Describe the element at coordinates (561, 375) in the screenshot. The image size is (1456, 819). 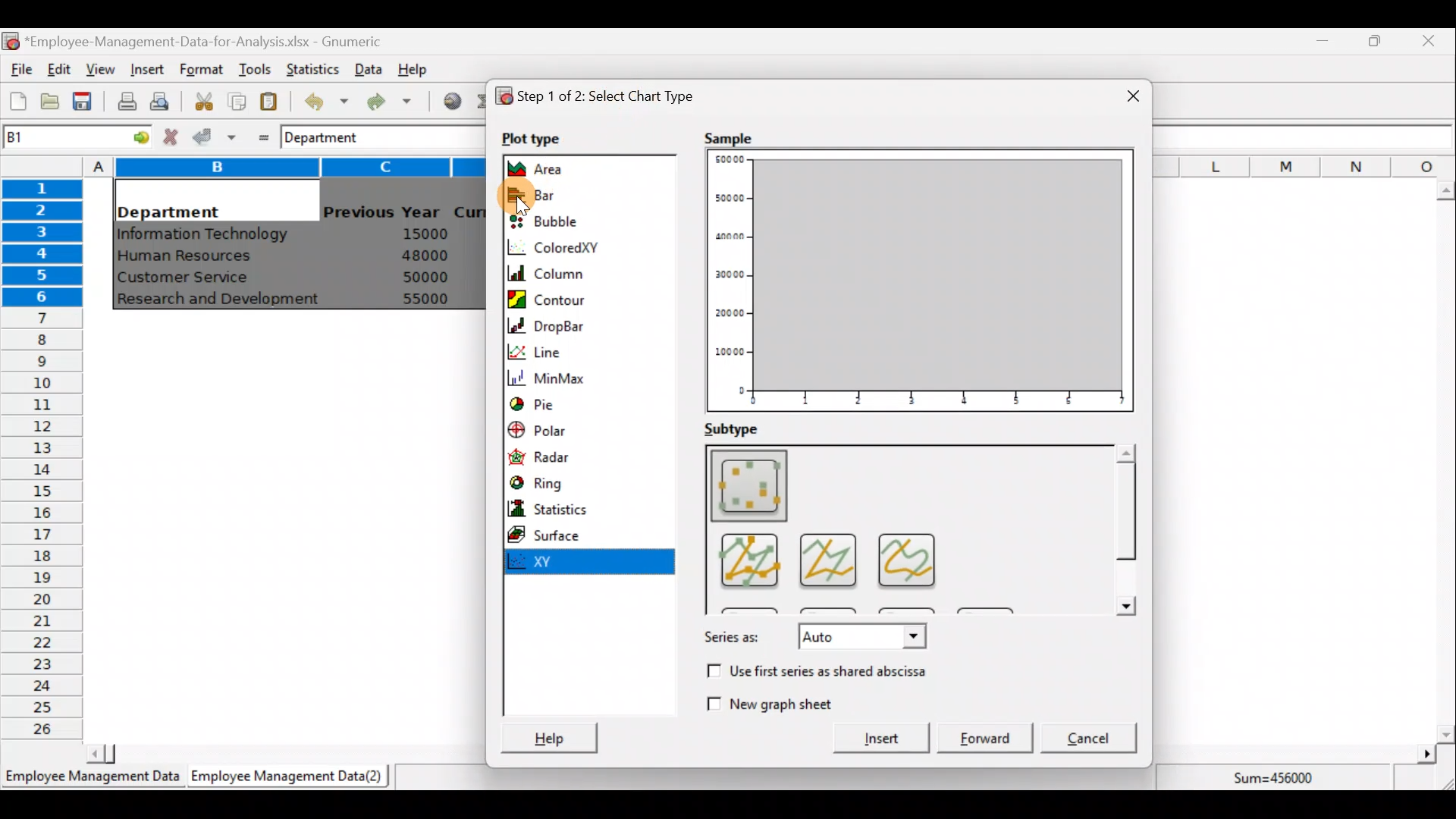
I see `MinMax` at that location.